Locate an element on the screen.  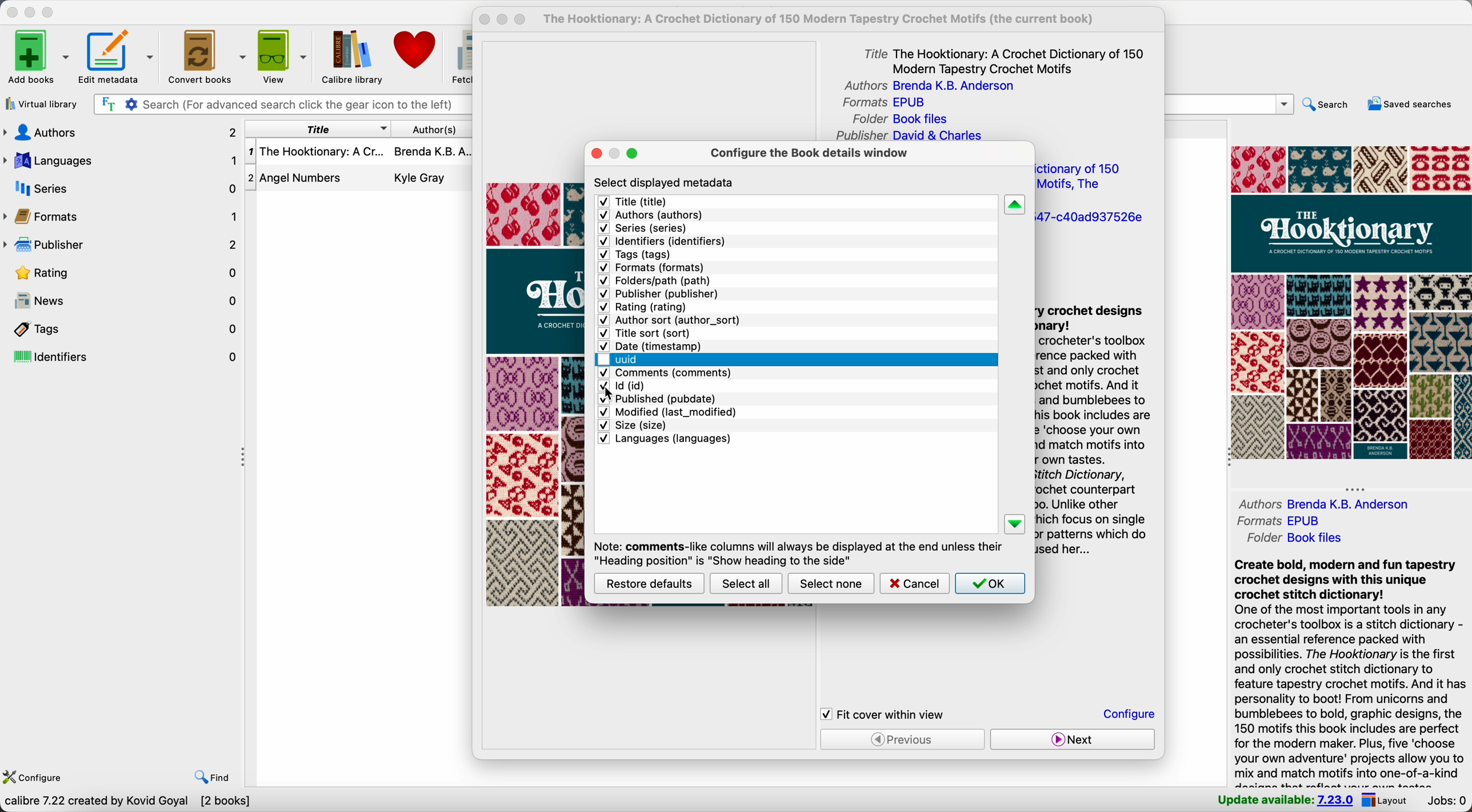
add books is located at coordinates (38, 58).